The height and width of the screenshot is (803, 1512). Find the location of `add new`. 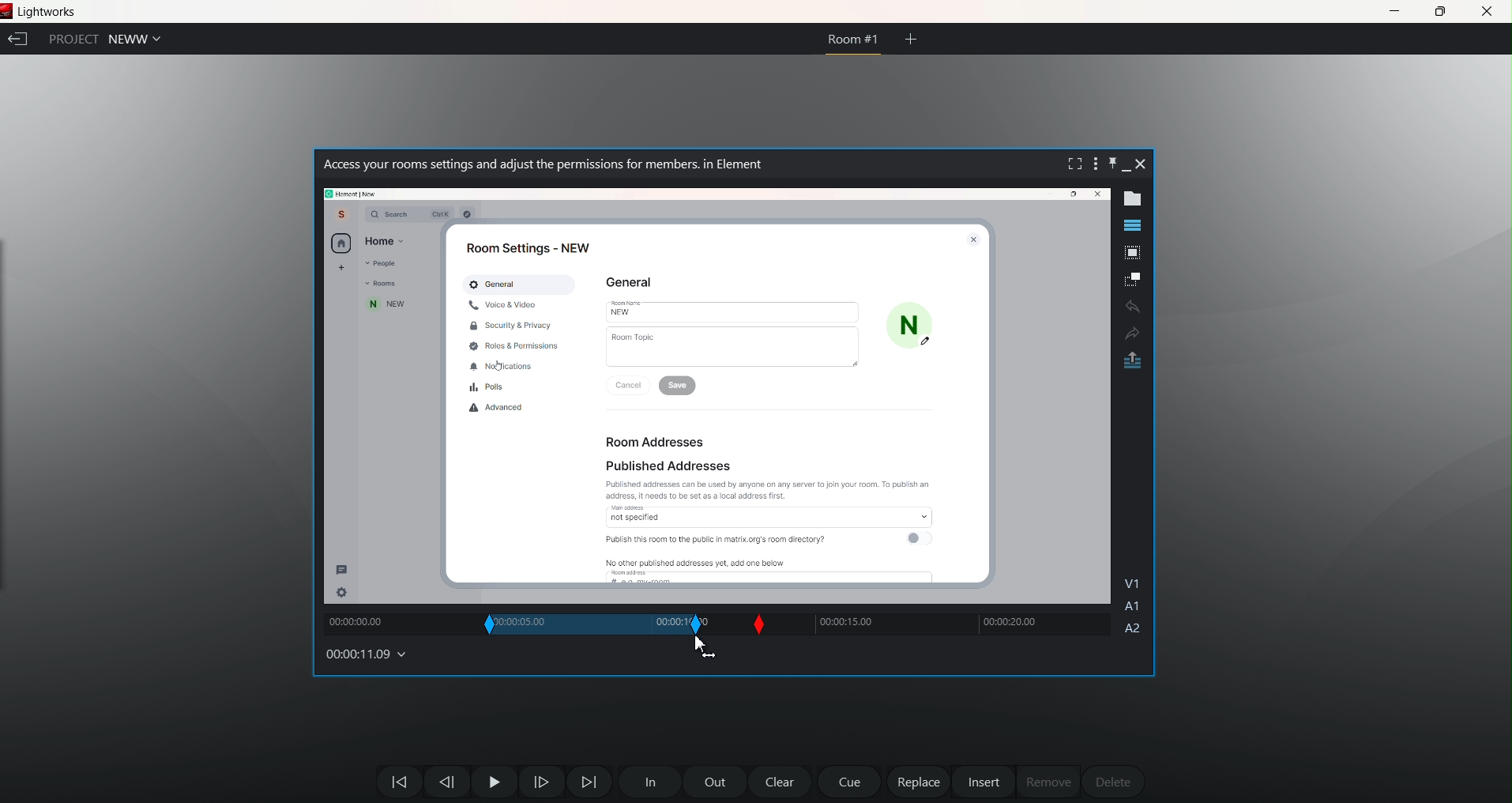

add new is located at coordinates (340, 269).